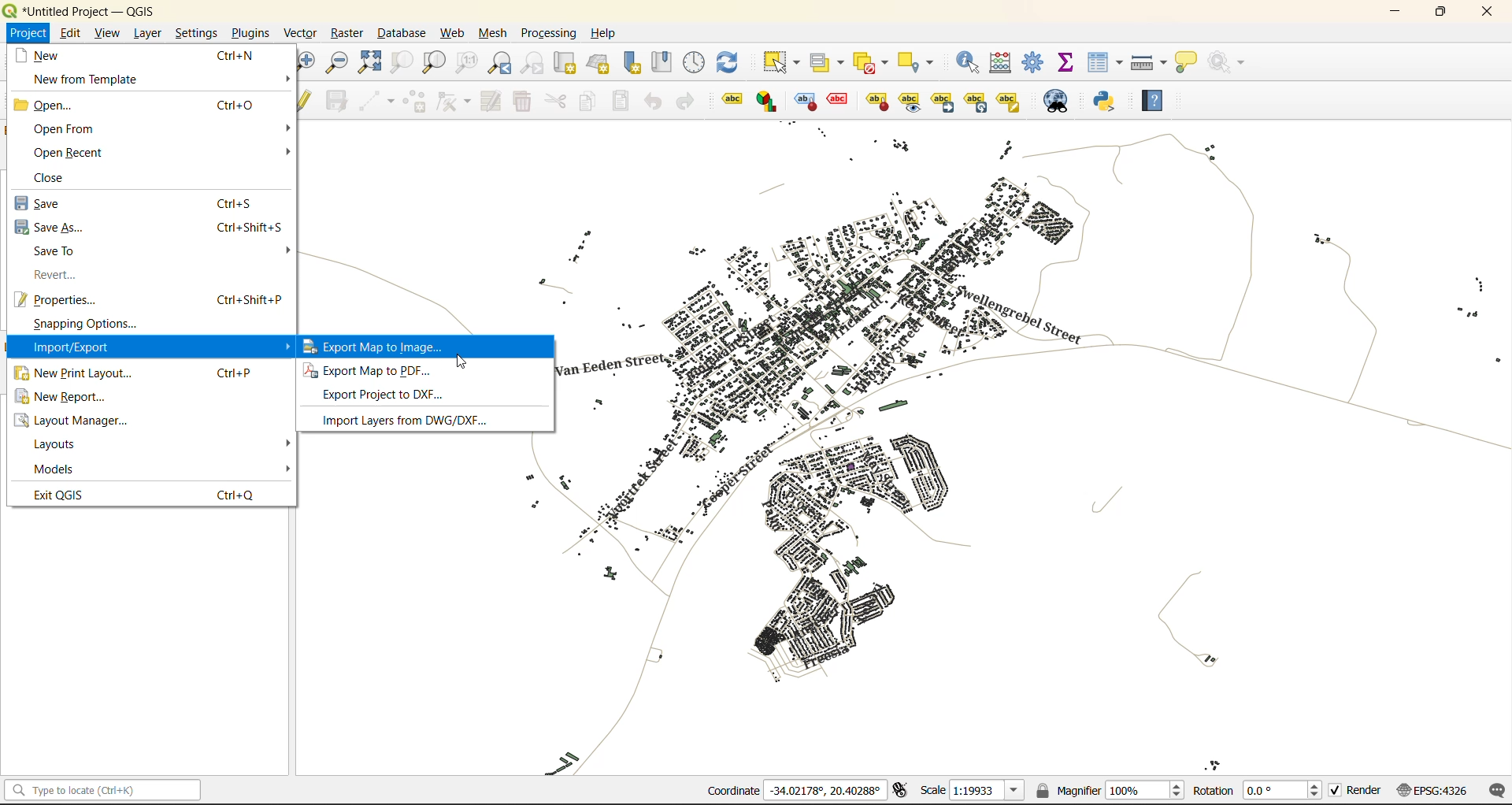 The image size is (1512, 805). Describe the element at coordinates (83, 325) in the screenshot. I see `snapping options` at that location.